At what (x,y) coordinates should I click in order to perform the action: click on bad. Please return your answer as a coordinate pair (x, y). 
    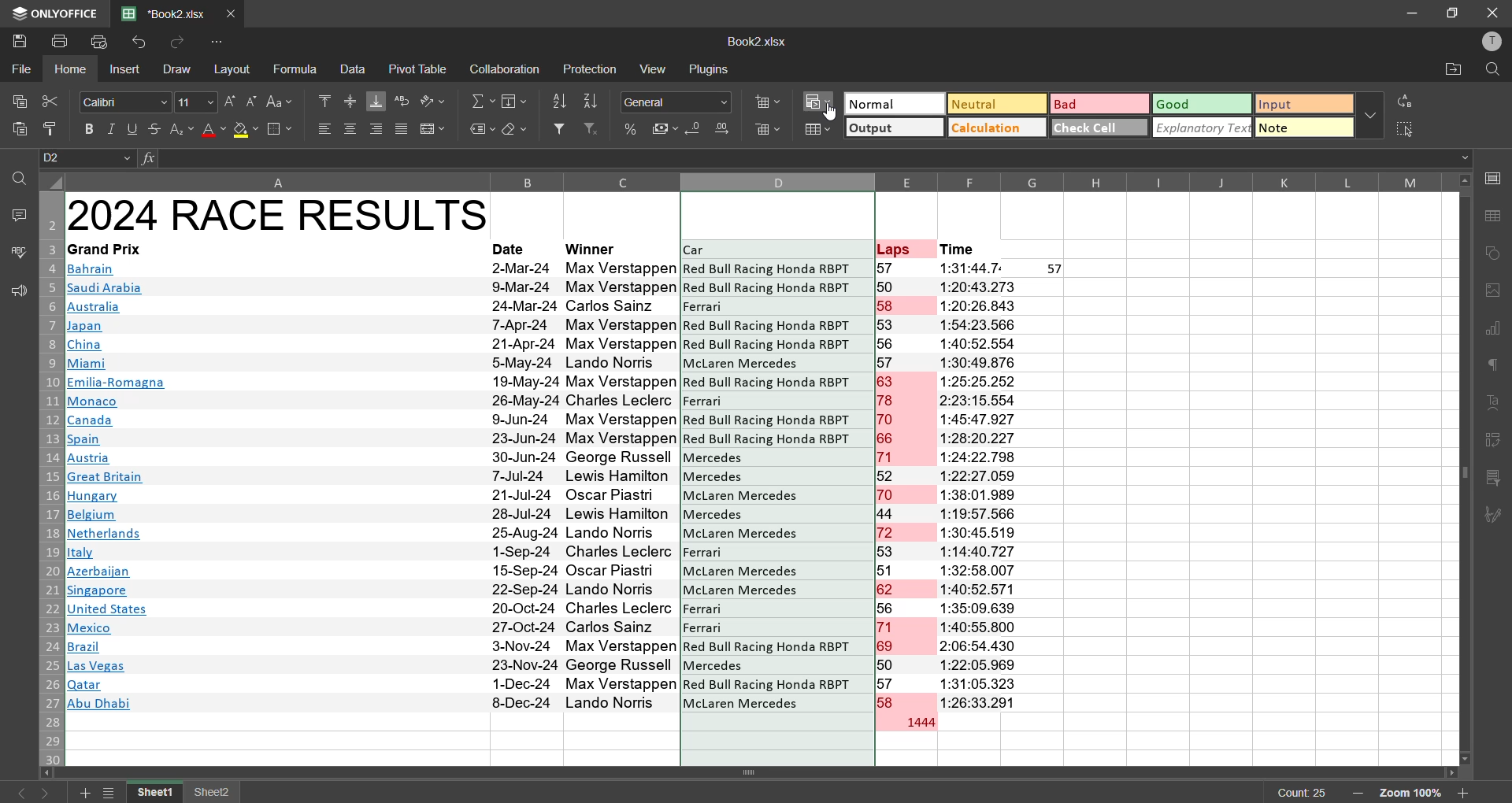
    Looking at the image, I should click on (1092, 107).